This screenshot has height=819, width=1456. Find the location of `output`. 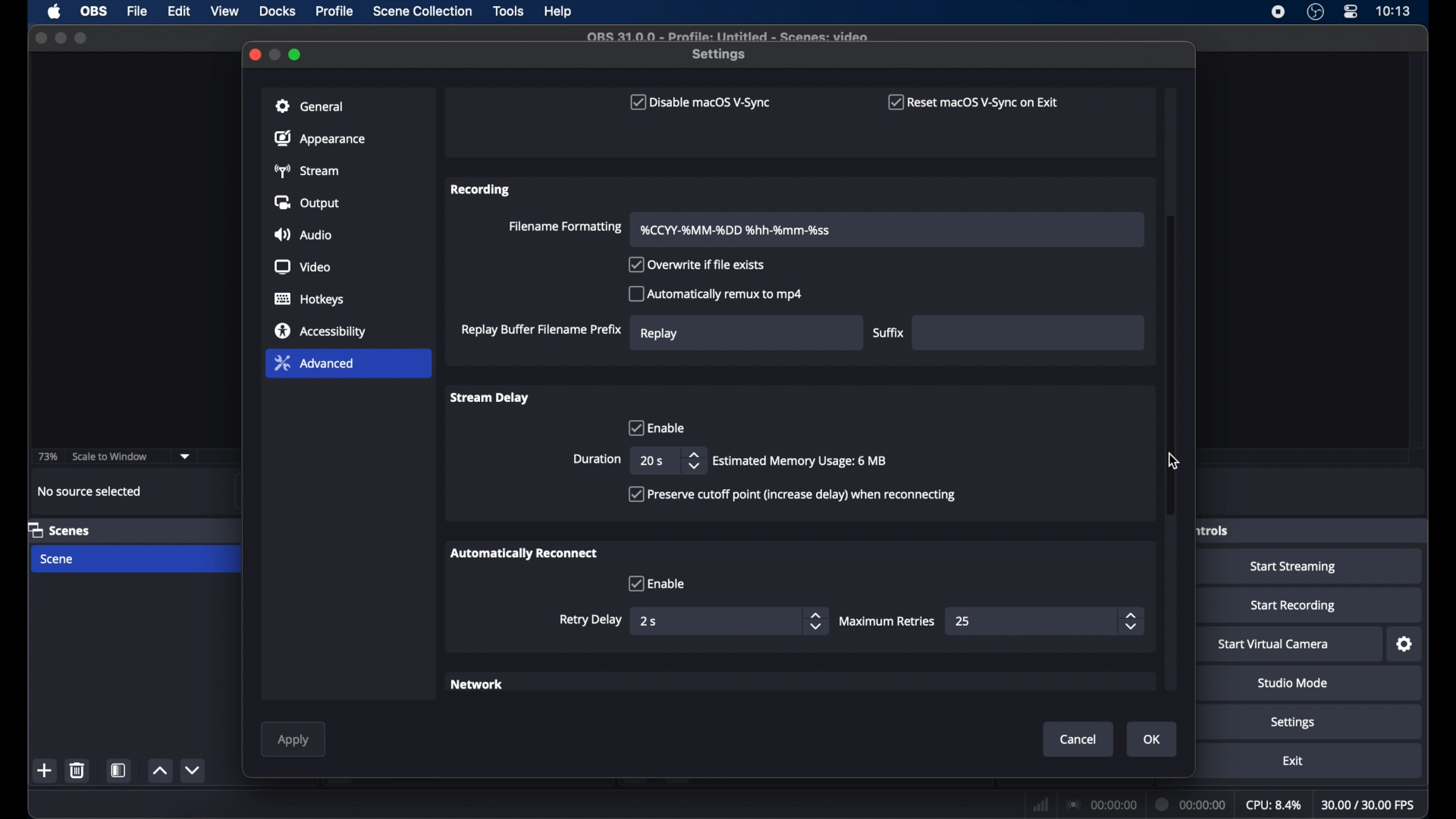

output is located at coordinates (309, 202).